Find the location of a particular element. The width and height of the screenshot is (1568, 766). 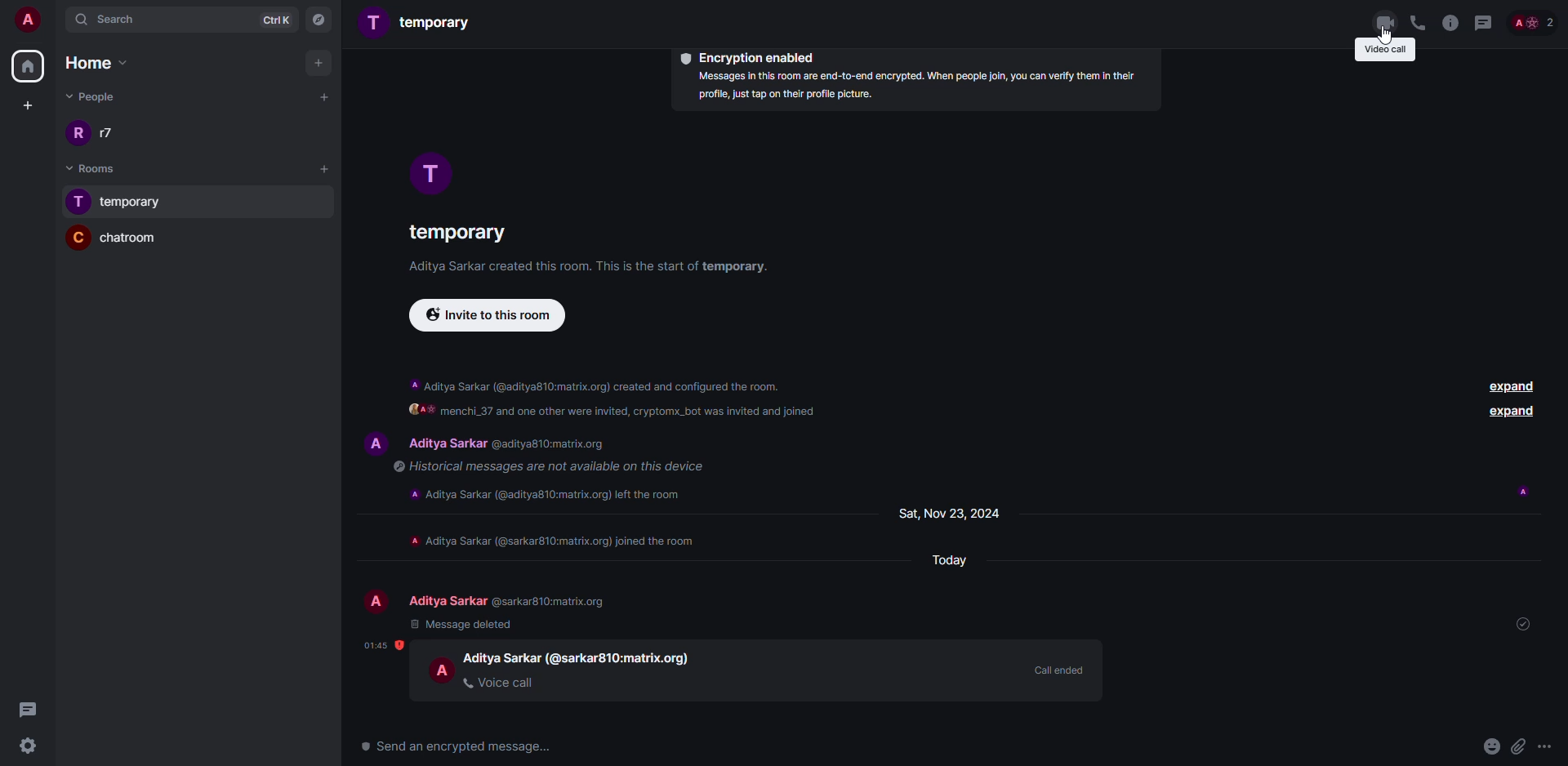

video call is located at coordinates (1384, 51).